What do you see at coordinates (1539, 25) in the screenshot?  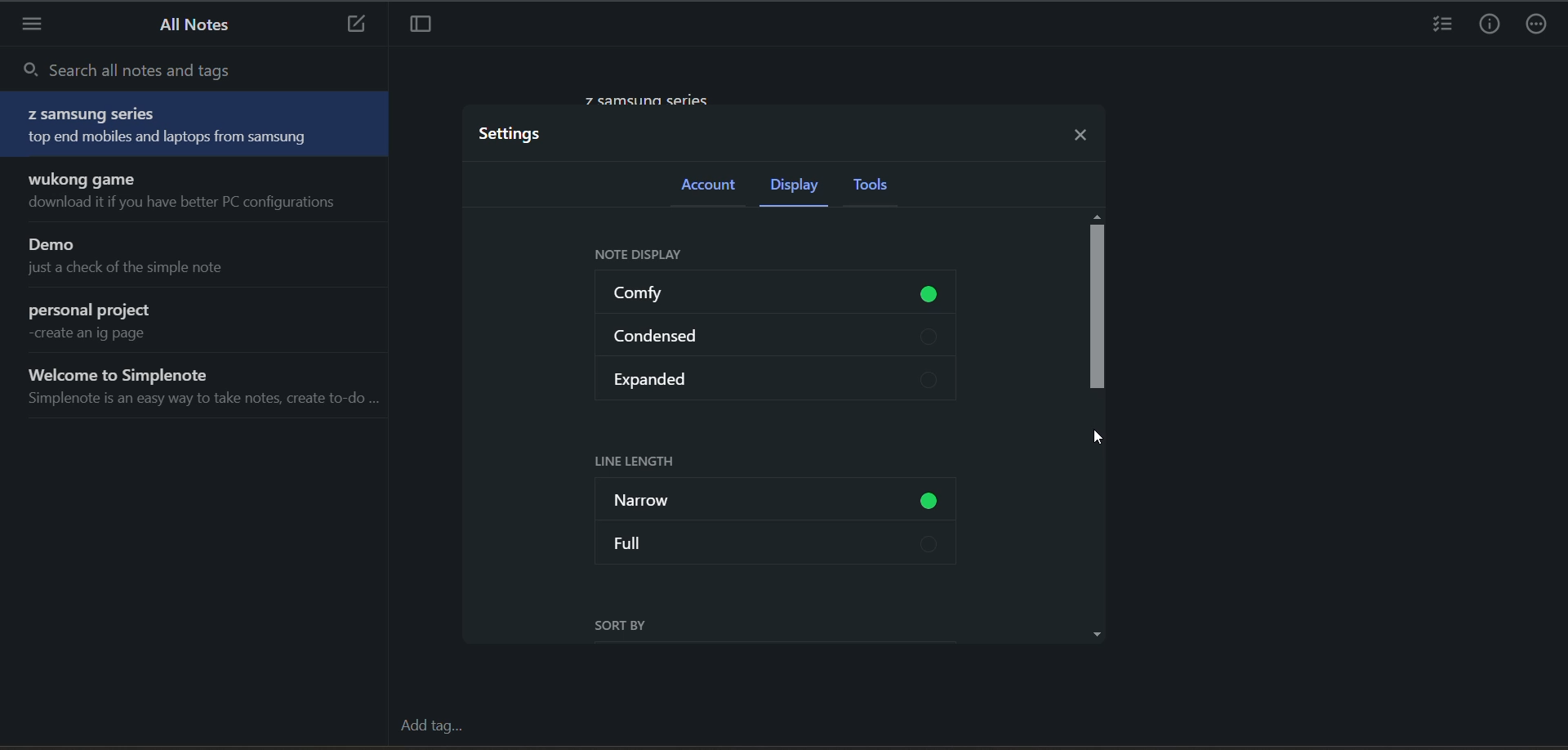 I see `actions` at bounding box center [1539, 25].